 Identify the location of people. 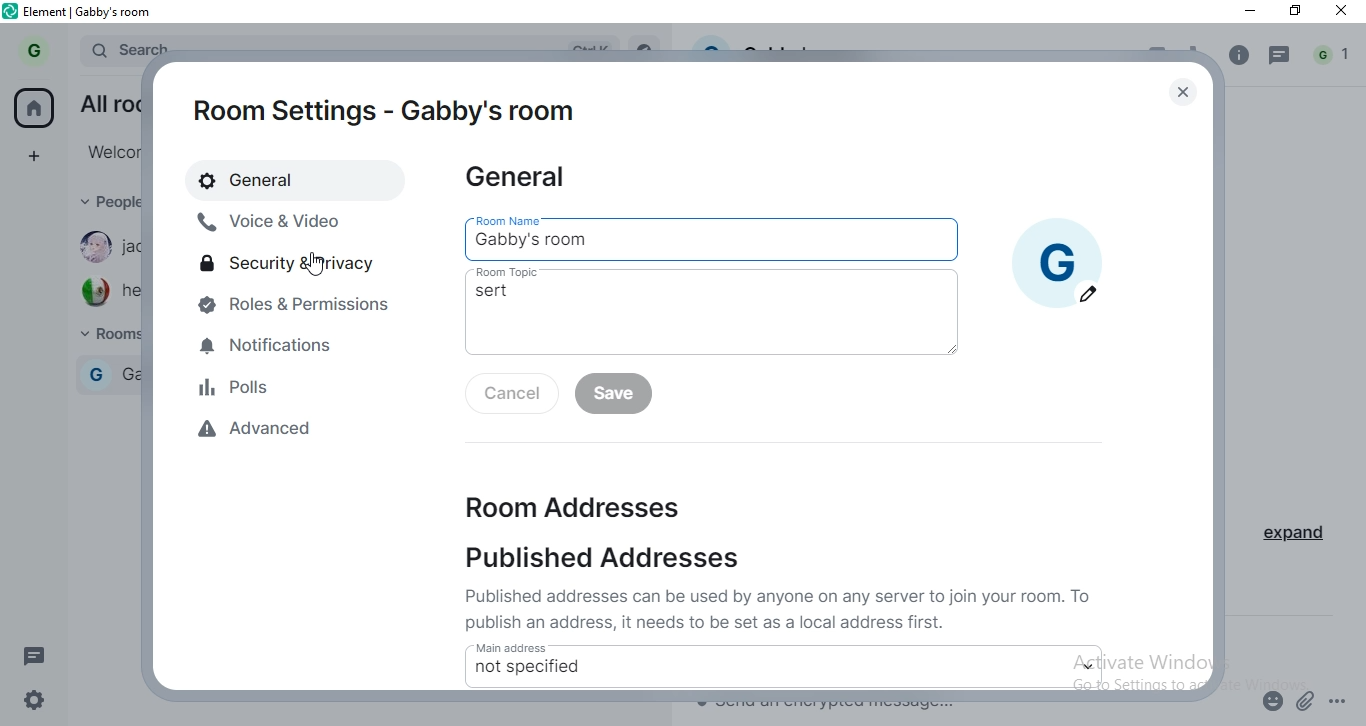
(106, 201).